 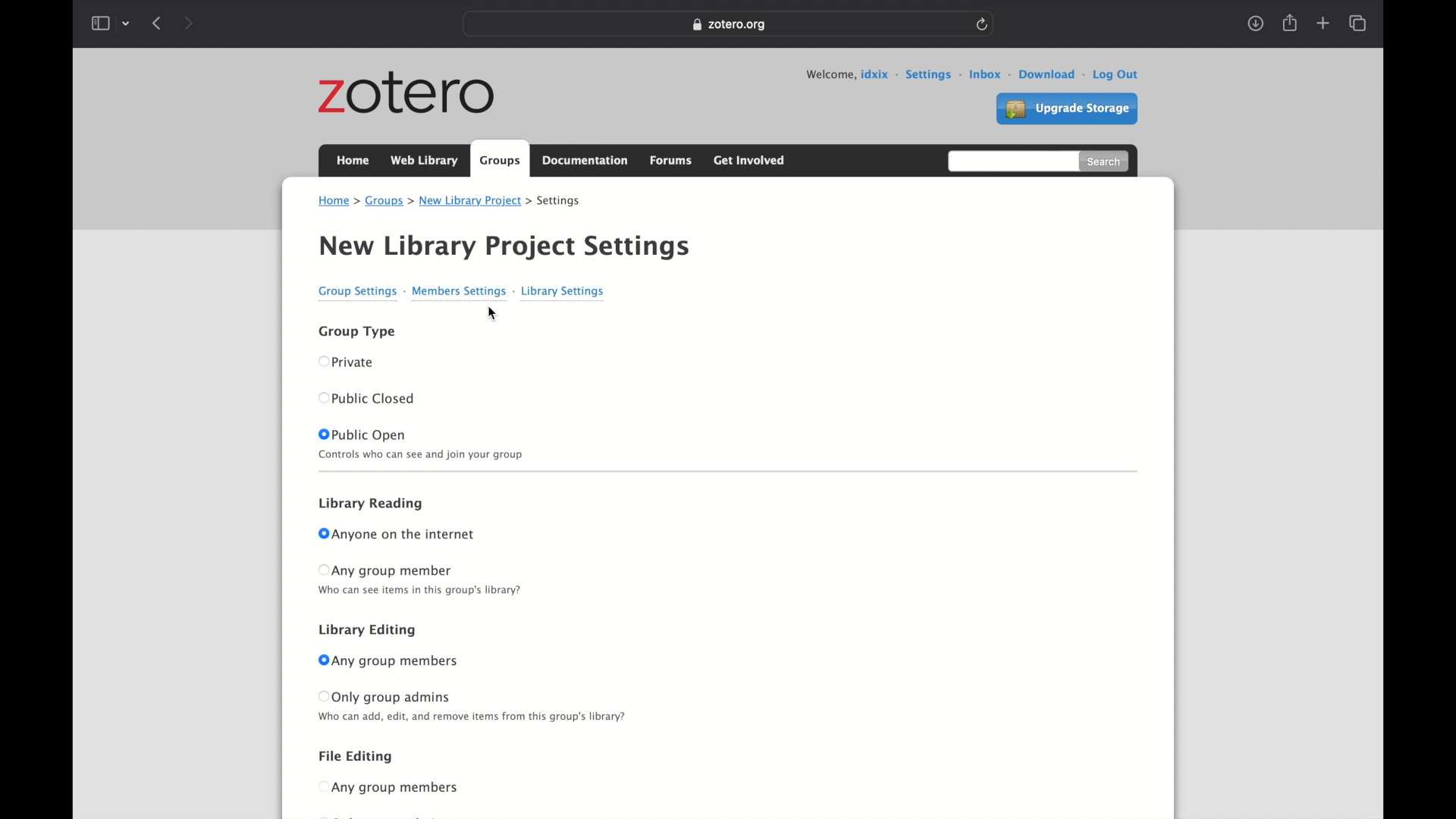 I want to click on public closed radio button, so click(x=376, y=399).